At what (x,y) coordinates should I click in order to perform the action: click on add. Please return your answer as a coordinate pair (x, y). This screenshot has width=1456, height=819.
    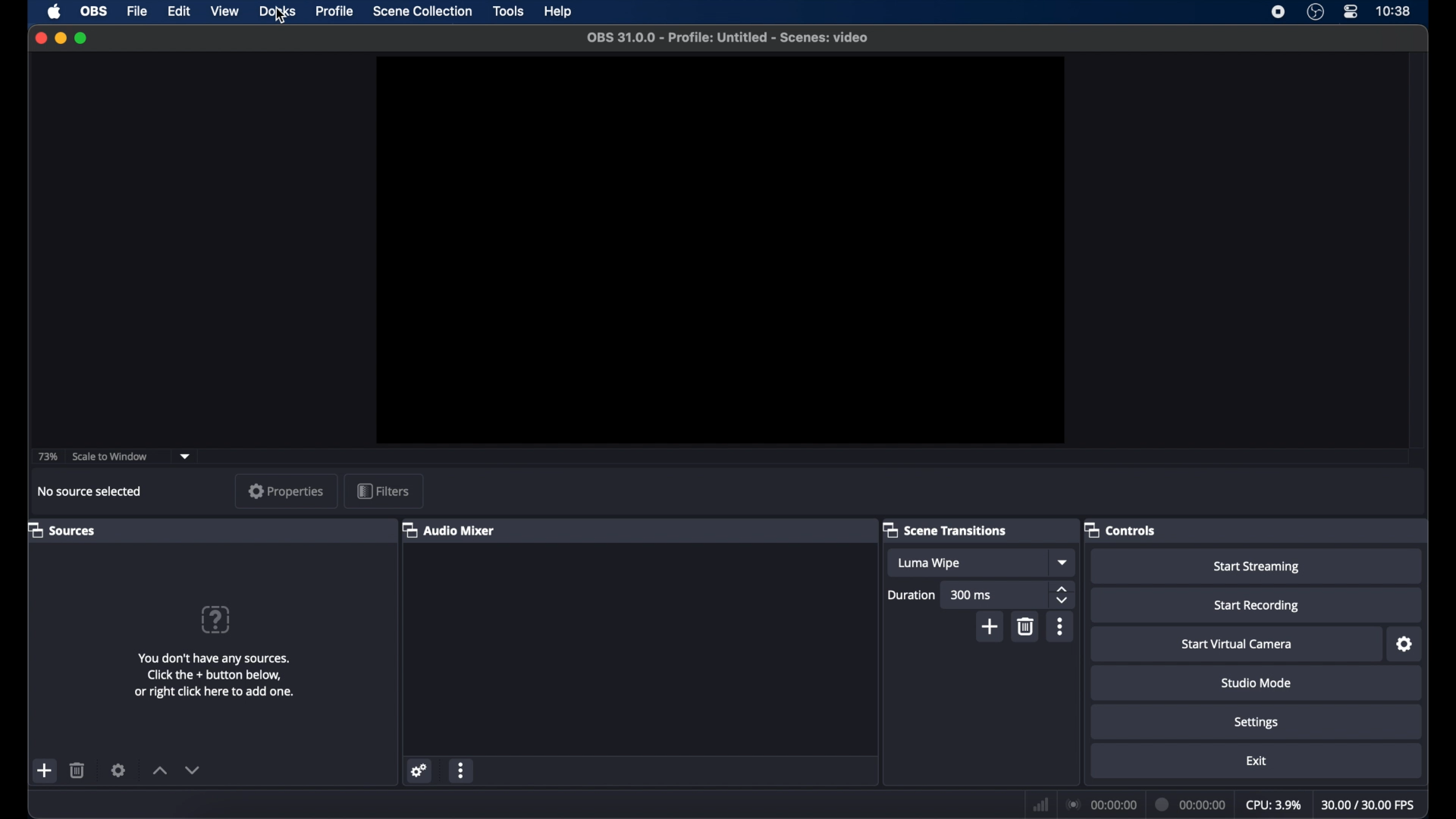
    Looking at the image, I should click on (991, 626).